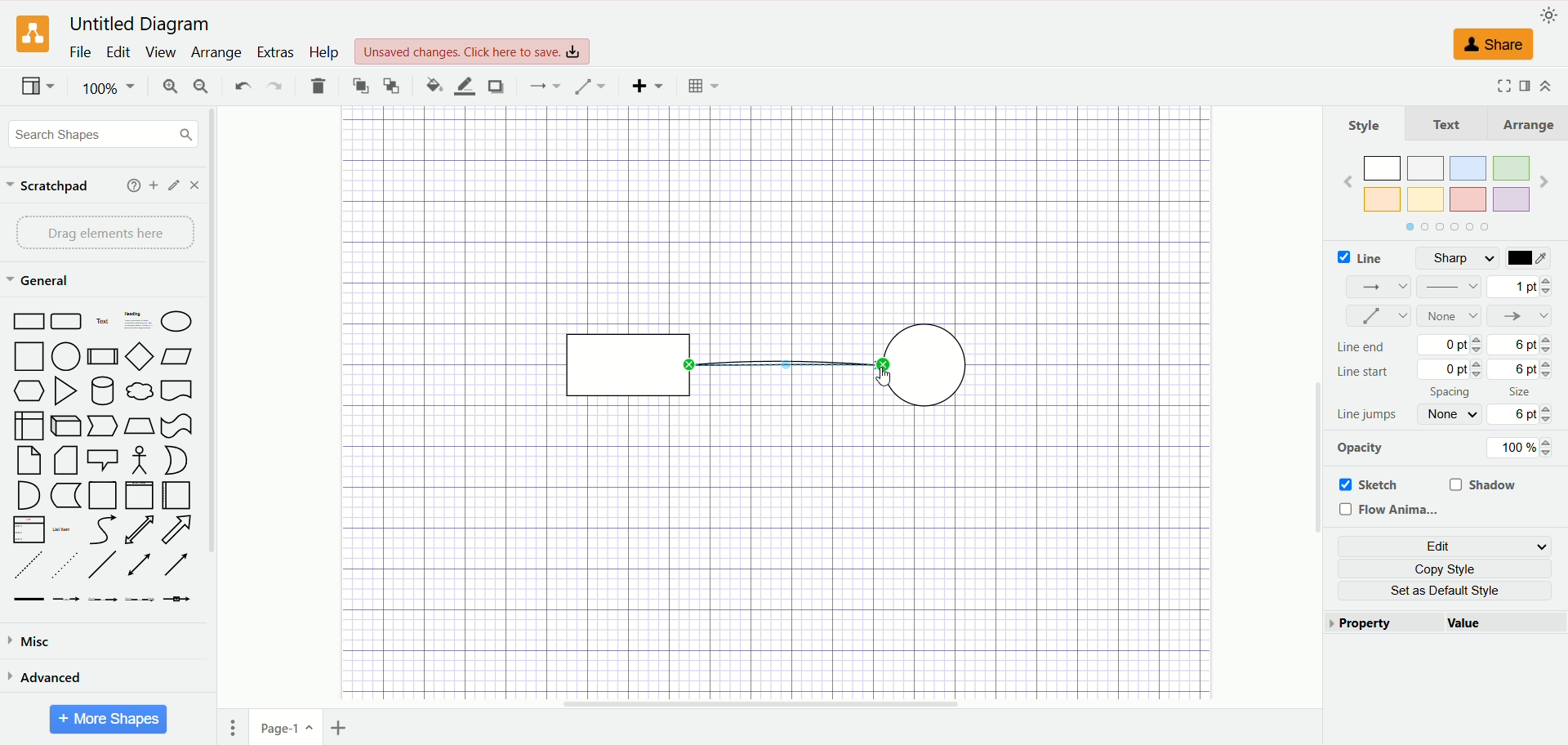 Image resolution: width=1568 pixels, height=745 pixels. What do you see at coordinates (176, 323) in the screenshot?
I see `Ellipse` at bounding box center [176, 323].